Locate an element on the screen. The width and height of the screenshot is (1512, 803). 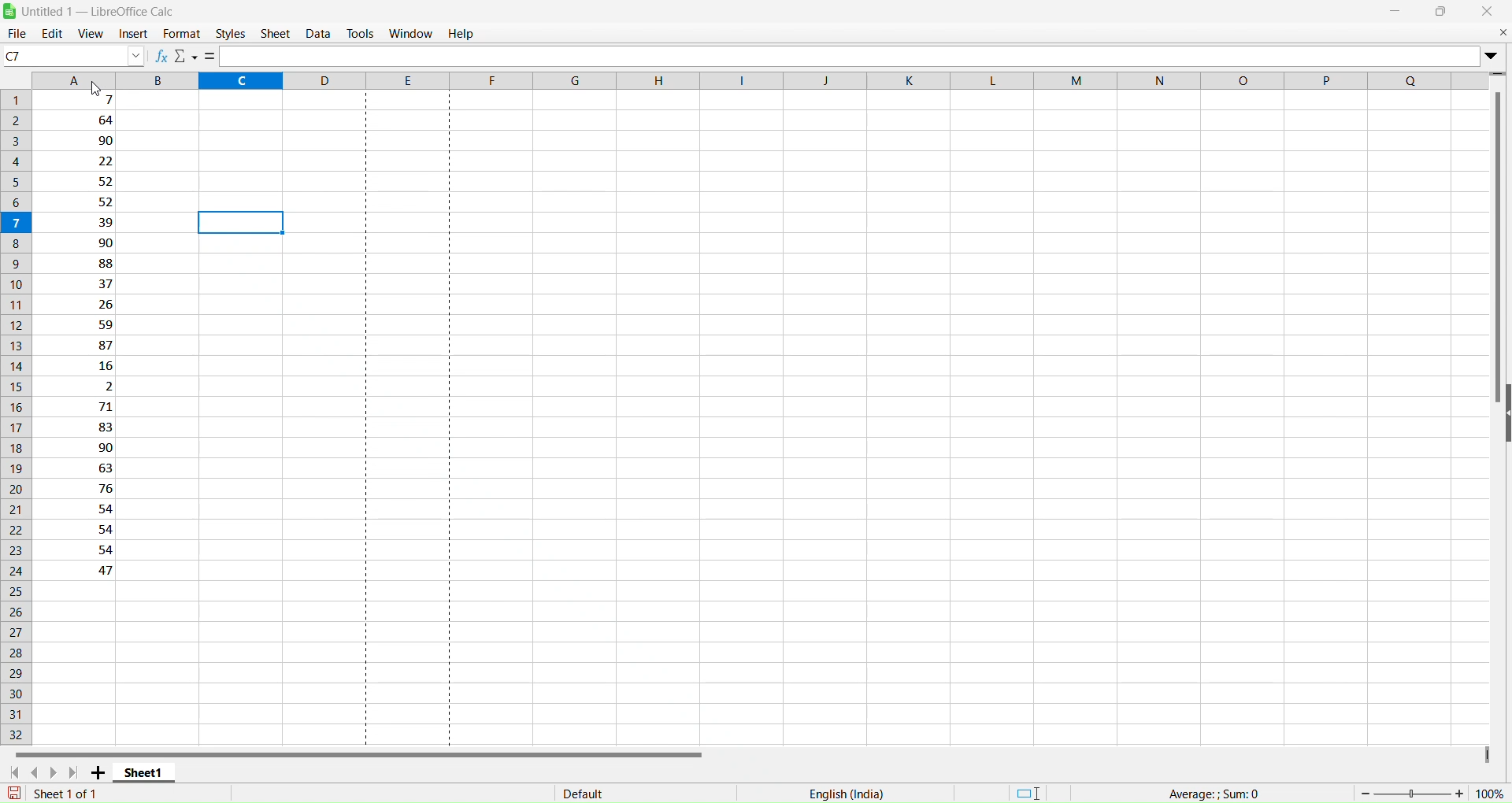
Edit is located at coordinates (51, 33).